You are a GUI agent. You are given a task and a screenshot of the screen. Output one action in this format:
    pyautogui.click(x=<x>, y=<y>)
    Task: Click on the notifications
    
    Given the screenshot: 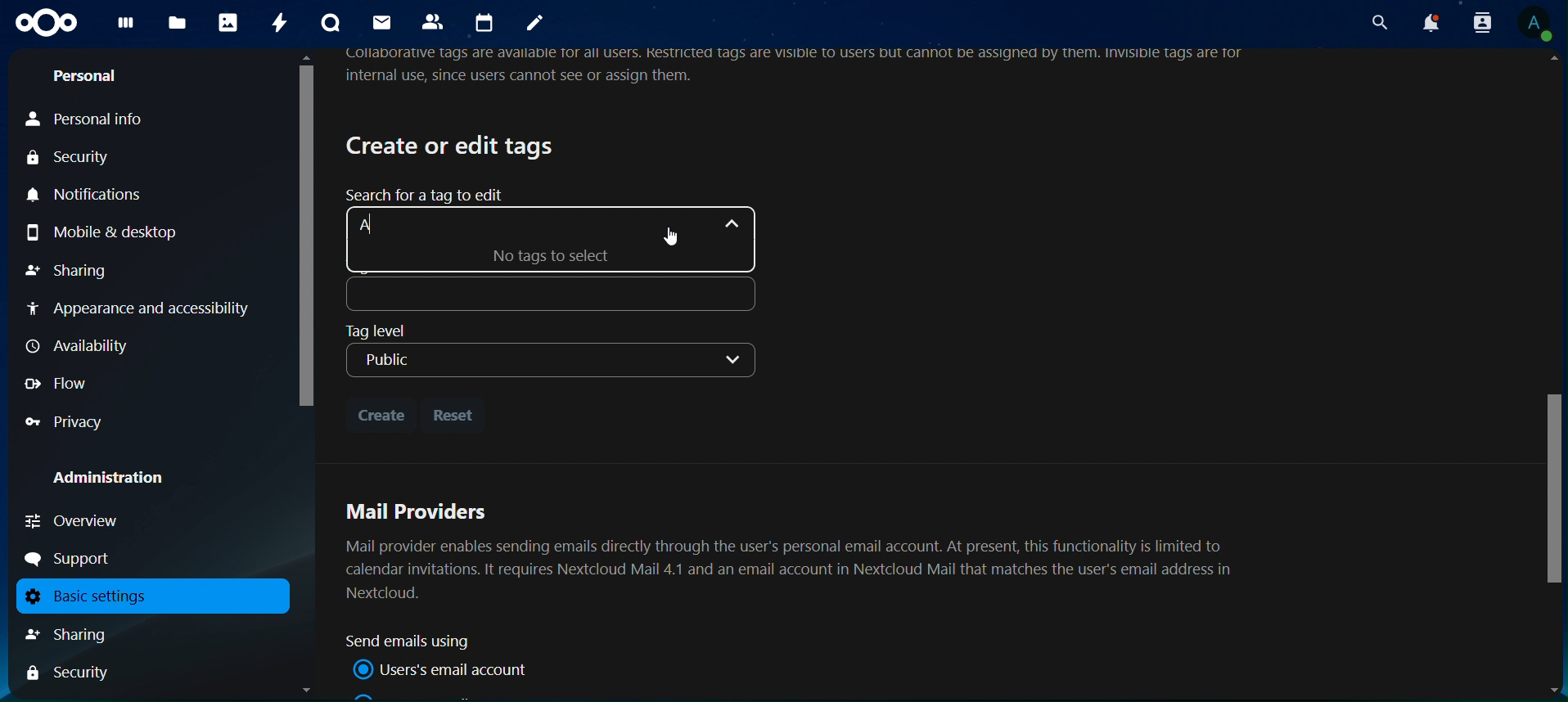 What is the action you would take?
    pyautogui.click(x=1428, y=23)
    